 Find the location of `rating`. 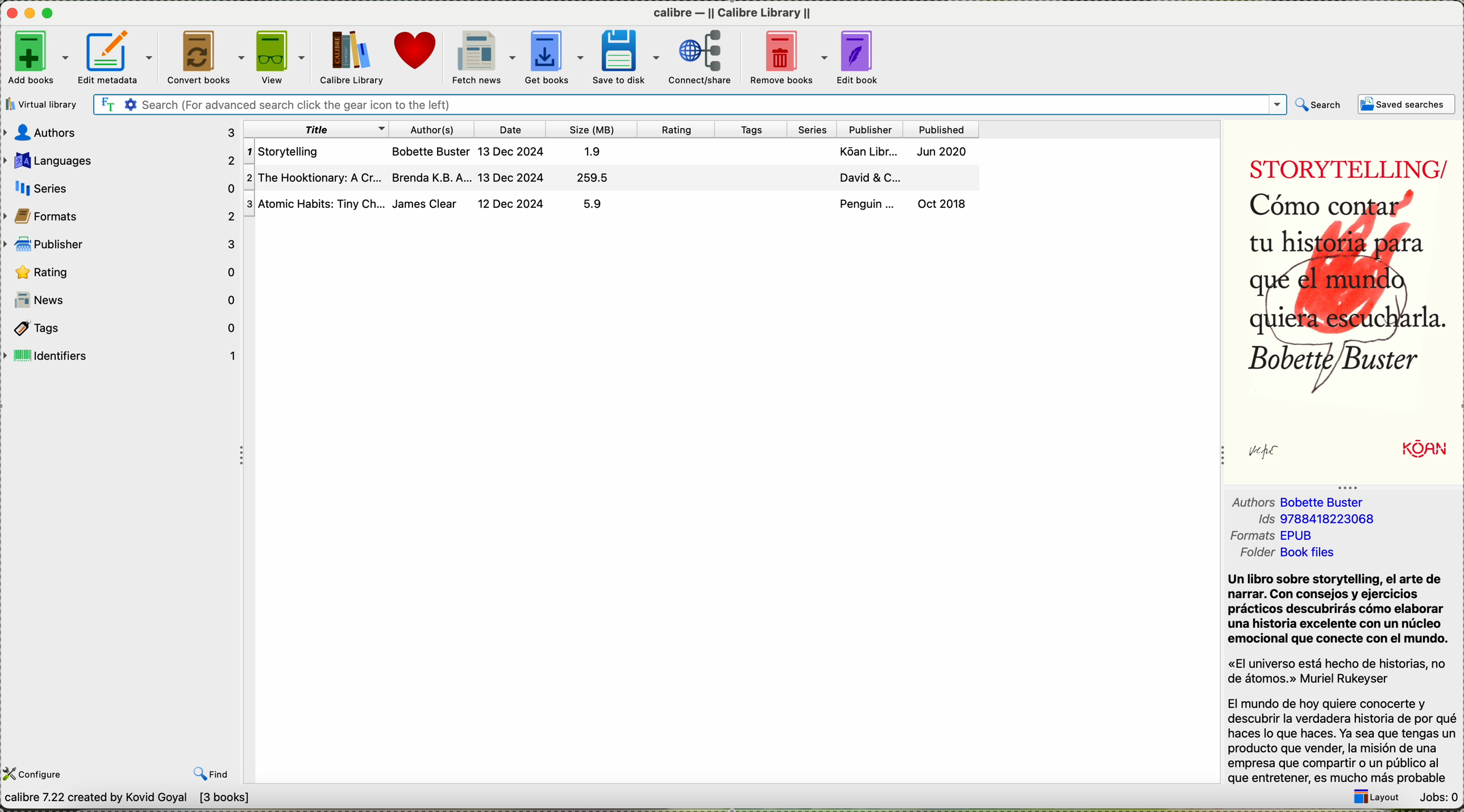

rating is located at coordinates (123, 271).